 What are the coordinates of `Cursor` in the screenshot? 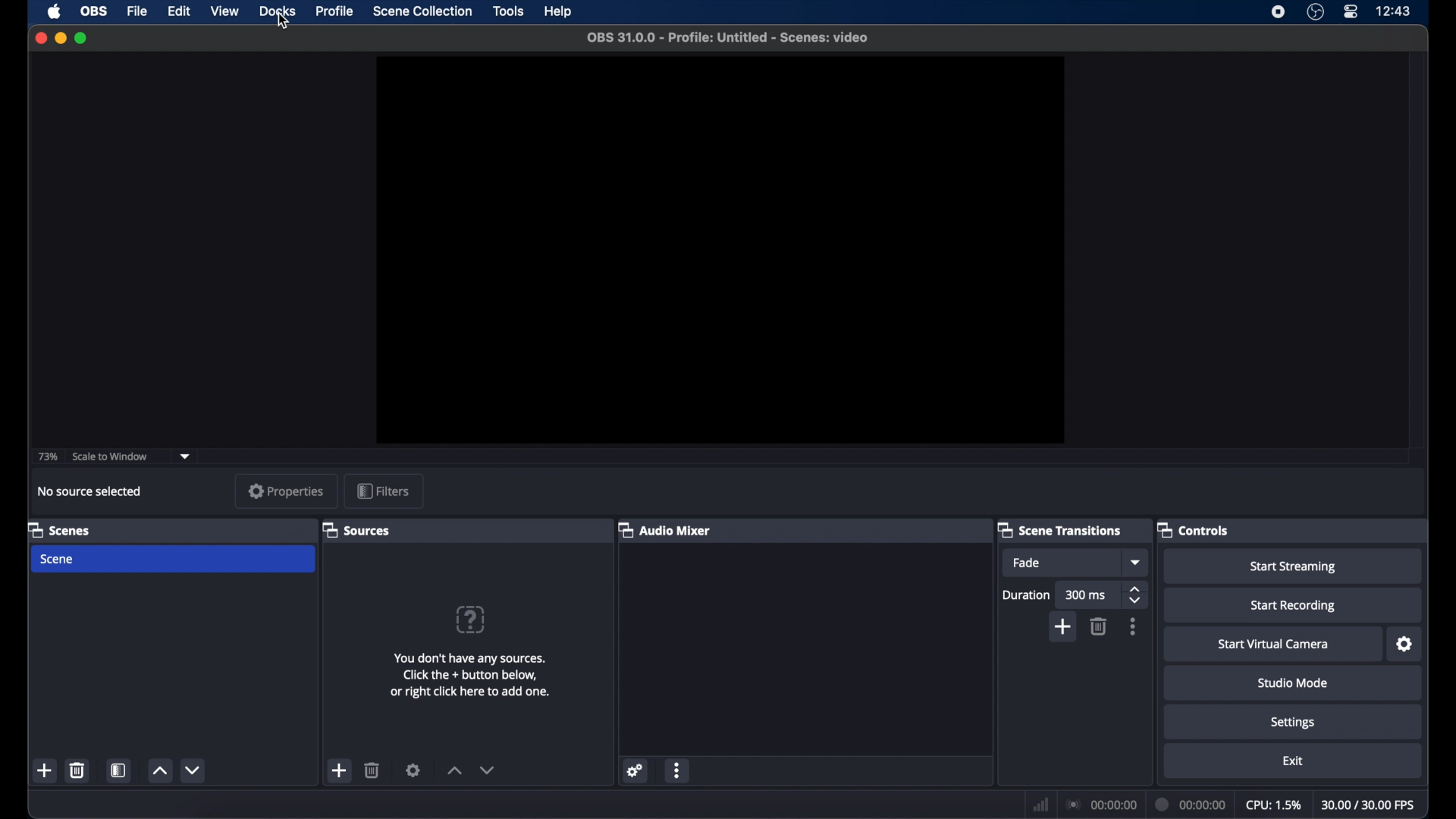 It's located at (282, 23).